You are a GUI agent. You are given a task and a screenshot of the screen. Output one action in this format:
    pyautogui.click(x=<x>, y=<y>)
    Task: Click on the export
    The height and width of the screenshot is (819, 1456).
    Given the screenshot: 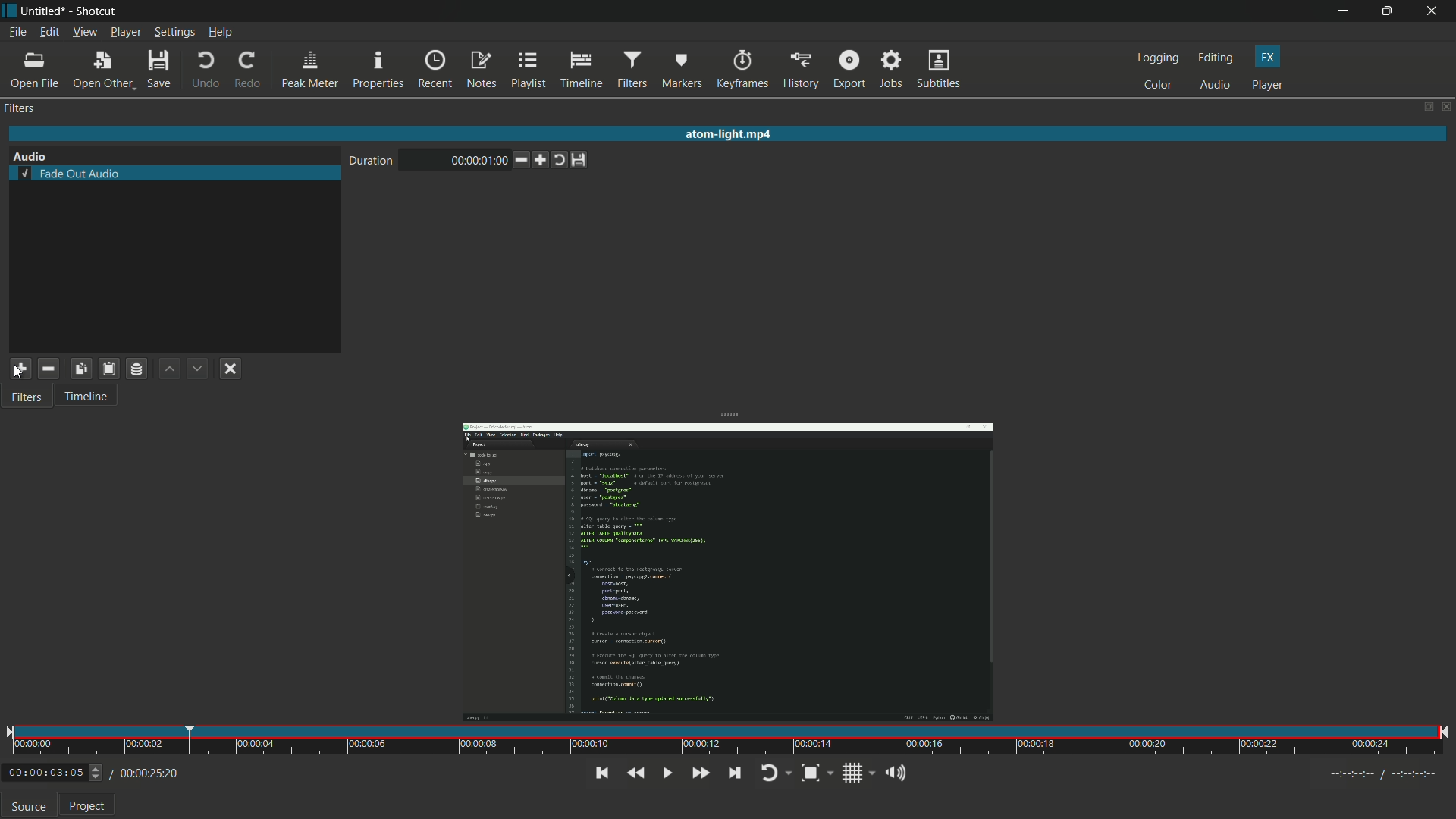 What is the action you would take?
    pyautogui.click(x=849, y=68)
    